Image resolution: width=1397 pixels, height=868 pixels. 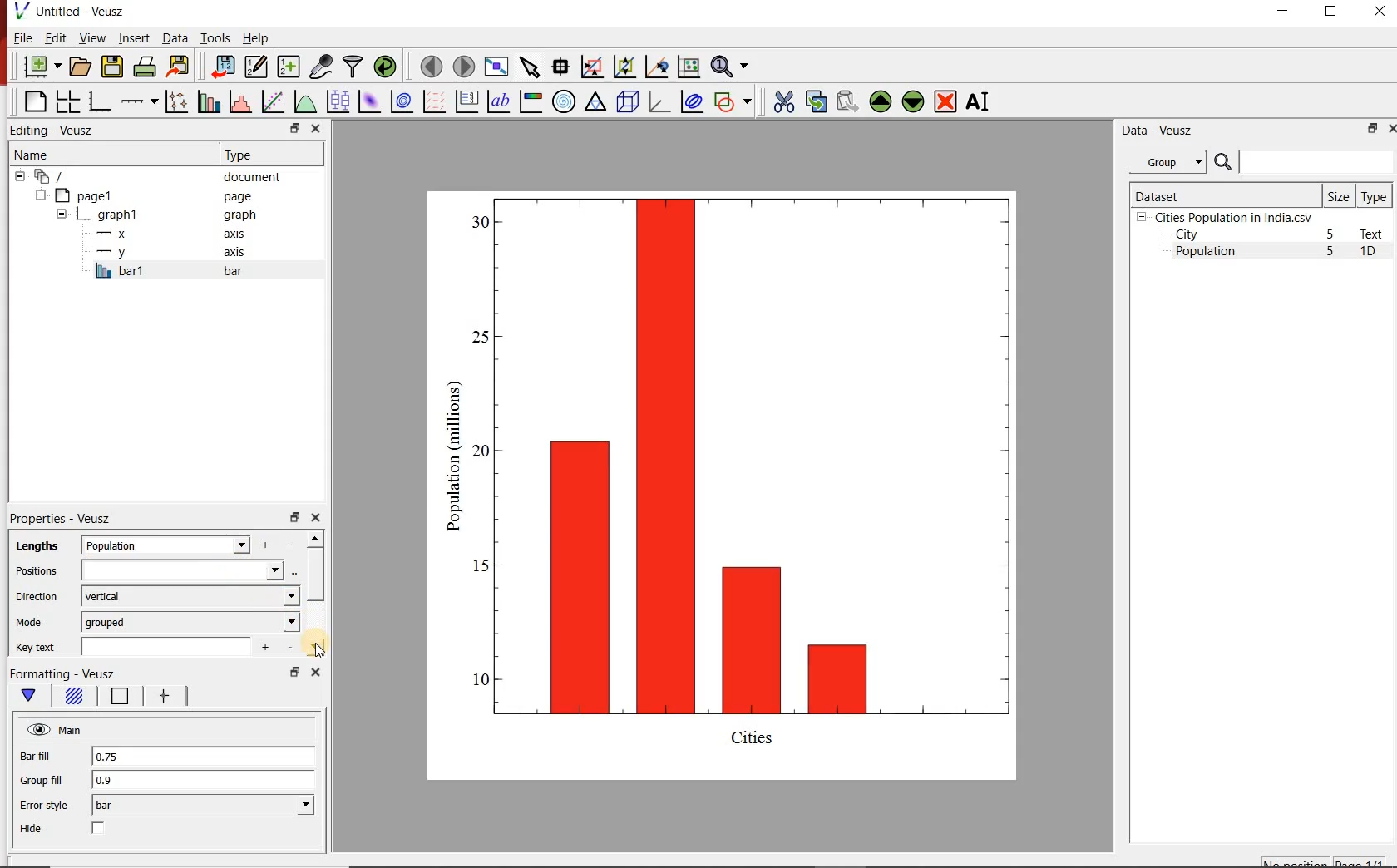 What do you see at coordinates (815, 100) in the screenshot?
I see `copy the selected widget` at bounding box center [815, 100].